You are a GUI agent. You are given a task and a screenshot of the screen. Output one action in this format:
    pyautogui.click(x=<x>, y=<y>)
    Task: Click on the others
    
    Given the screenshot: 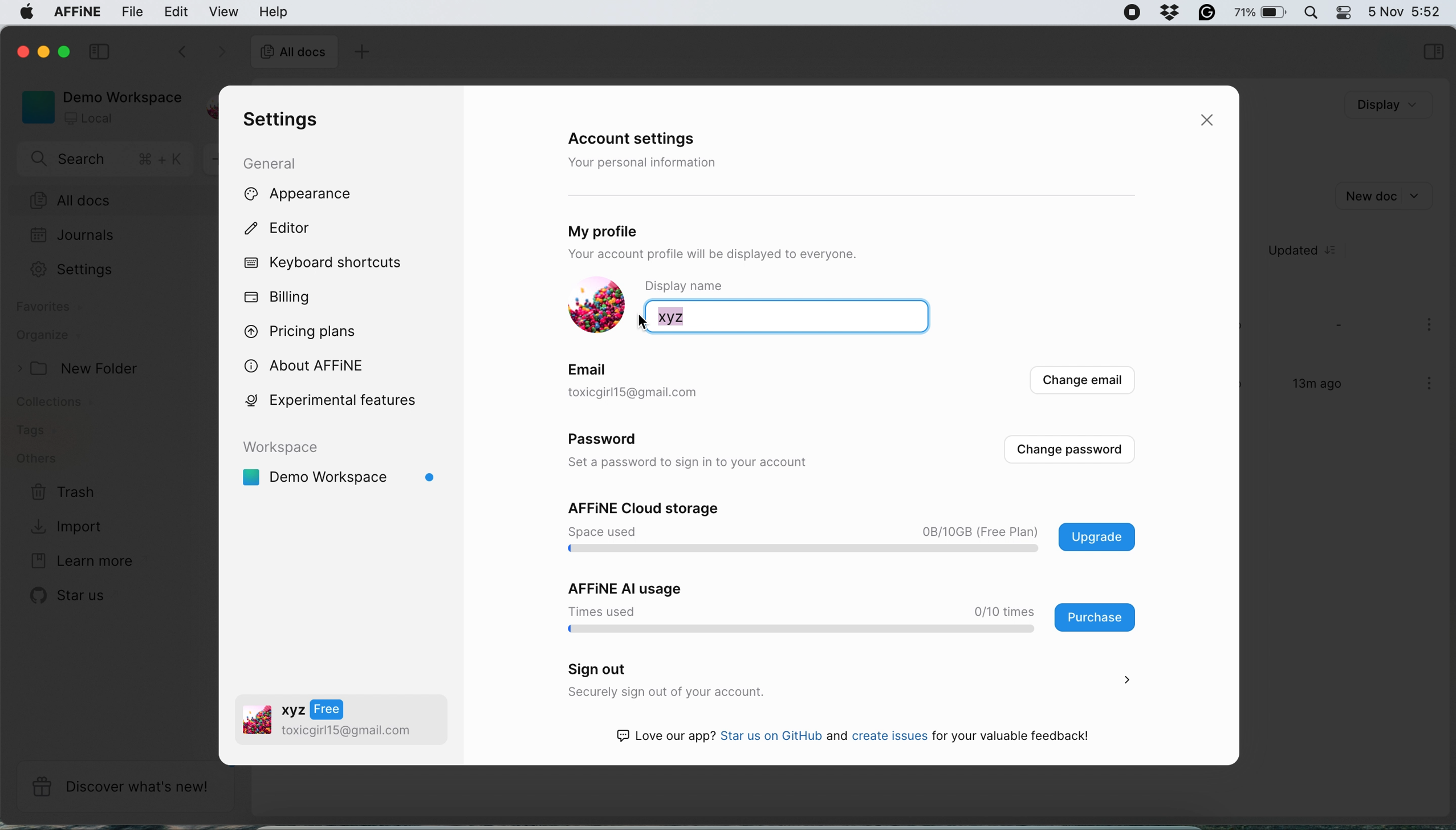 What is the action you would take?
    pyautogui.click(x=36, y=459)
    